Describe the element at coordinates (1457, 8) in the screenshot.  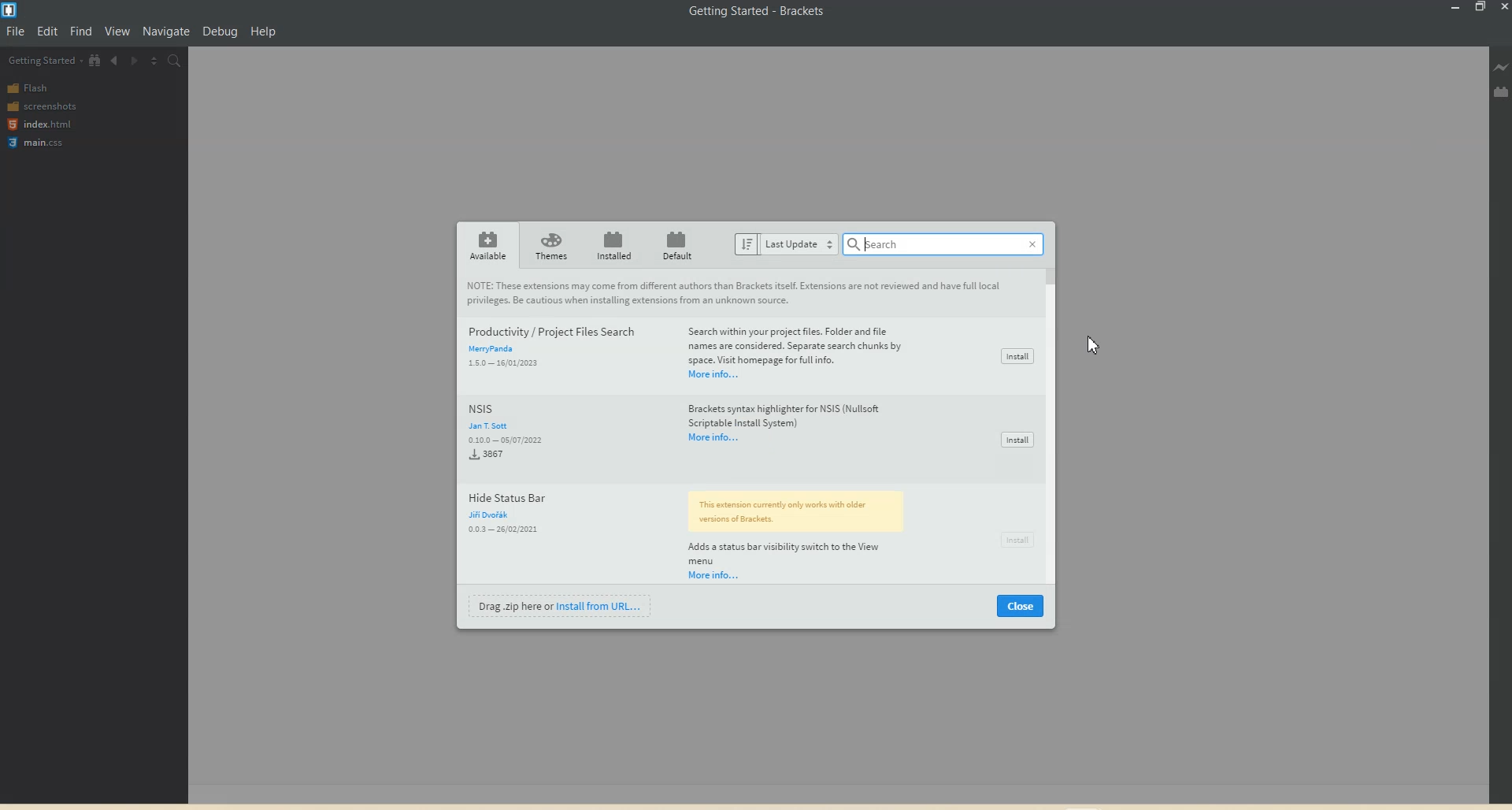
I see `Minimize` at that location.